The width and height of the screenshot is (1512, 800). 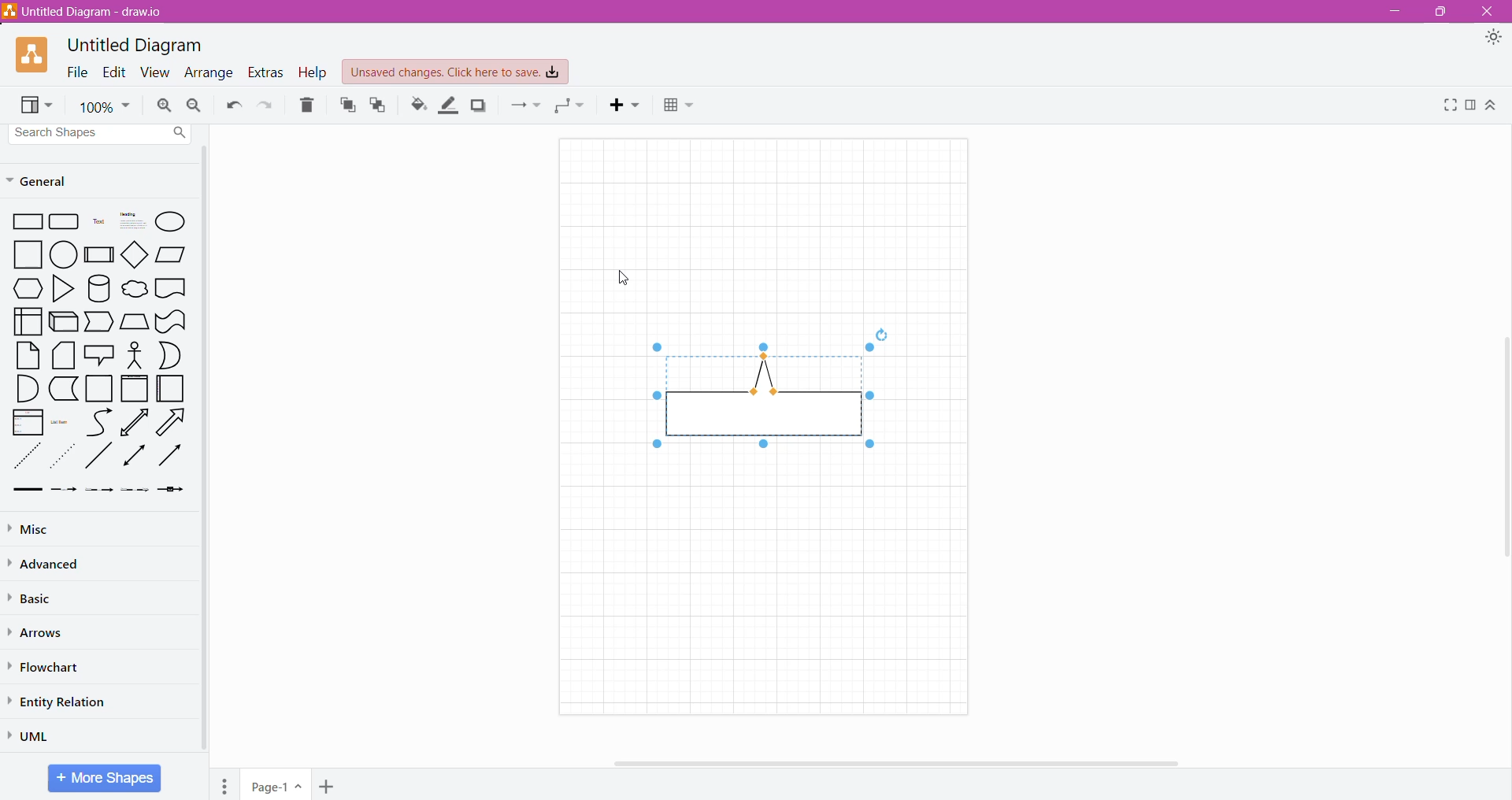 I want to click on Ellipse, so click(x=172, y=221).